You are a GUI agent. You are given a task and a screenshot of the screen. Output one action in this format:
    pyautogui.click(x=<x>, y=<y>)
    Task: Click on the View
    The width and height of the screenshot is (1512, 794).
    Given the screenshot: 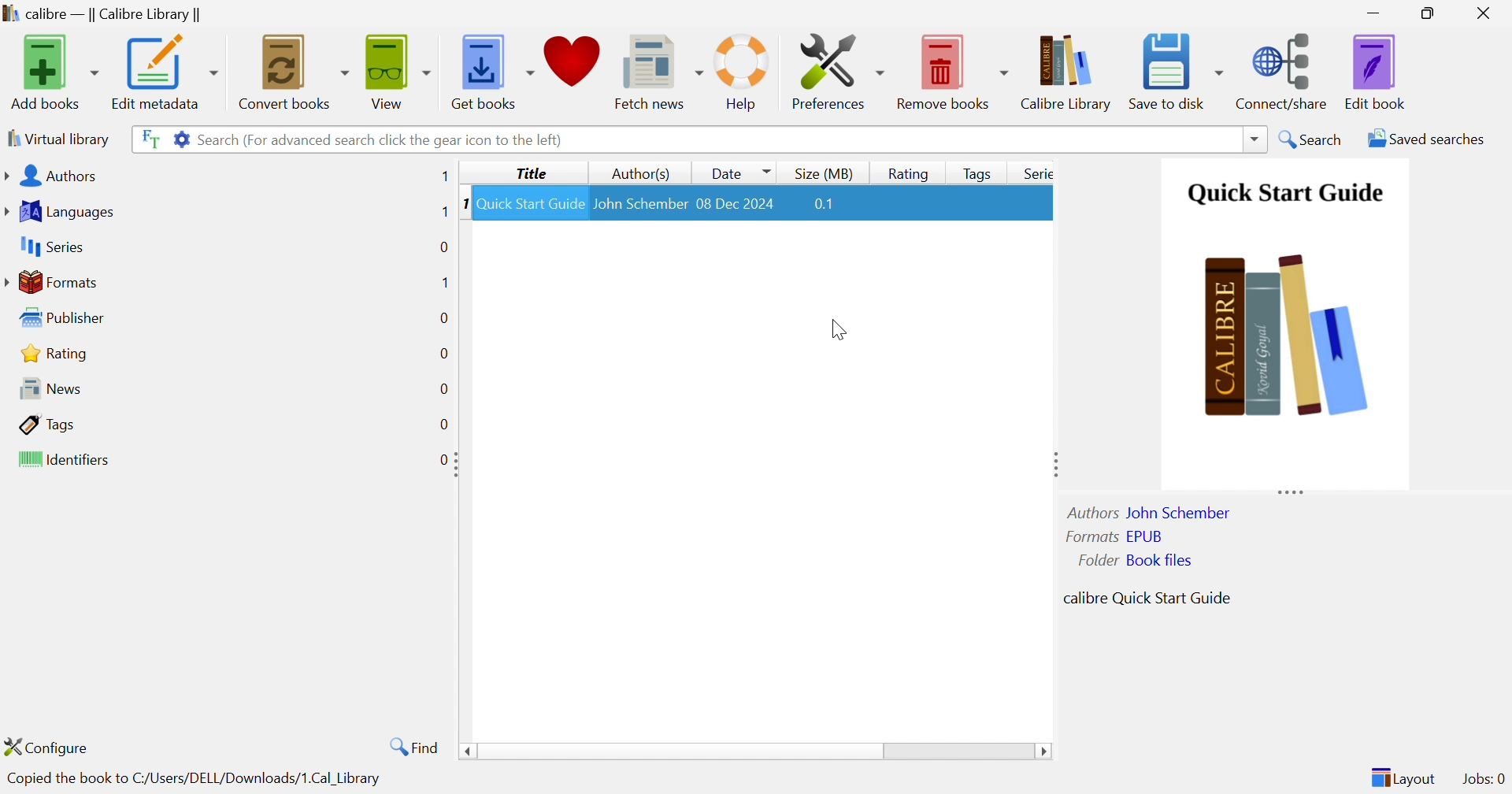 What is the action you would take?
    pyautogui.click(x=399, y=69)
    